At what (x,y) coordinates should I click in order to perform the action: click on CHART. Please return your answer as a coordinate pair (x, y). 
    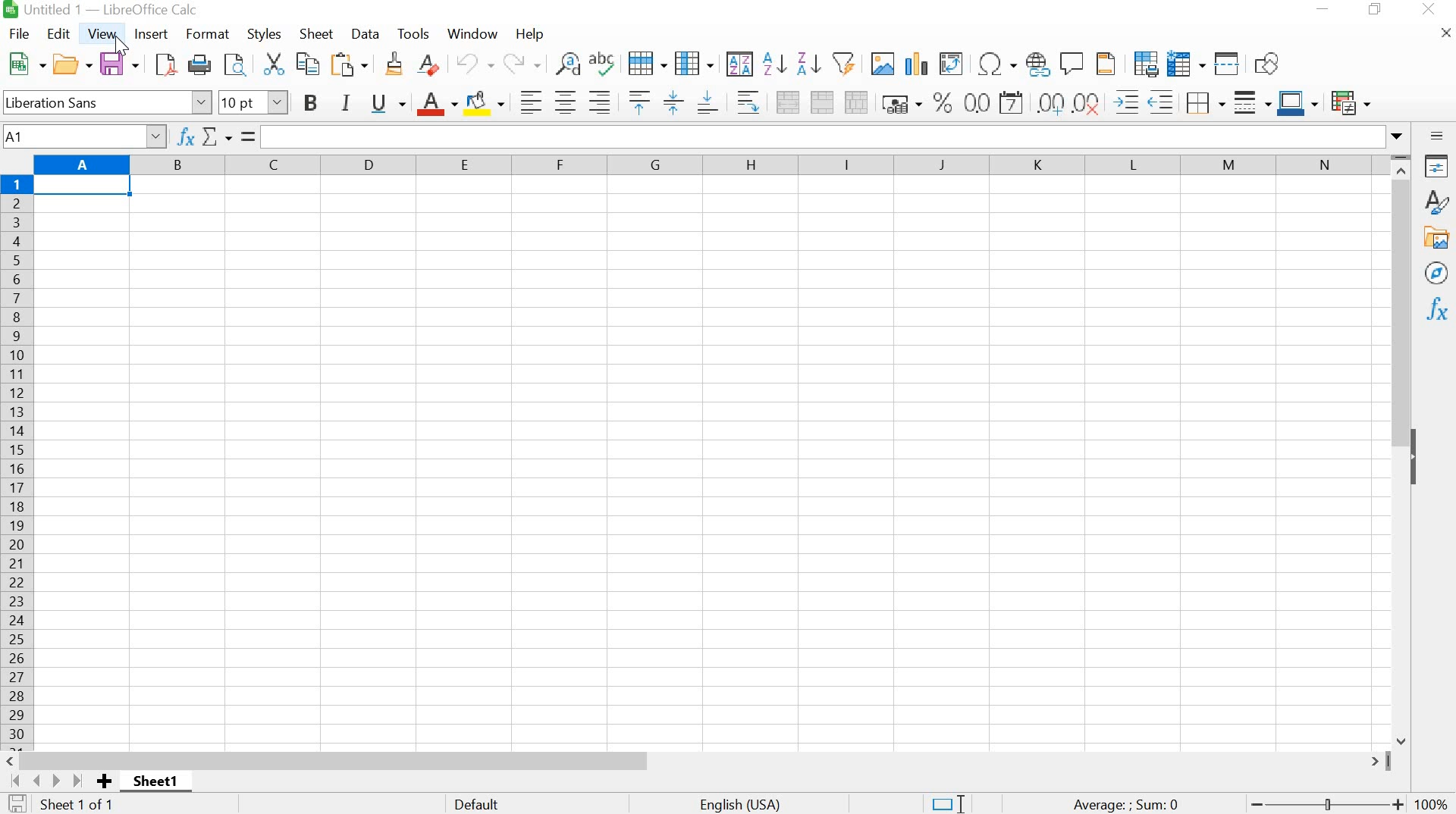
    Looking at the image, I should click on (915, 64).